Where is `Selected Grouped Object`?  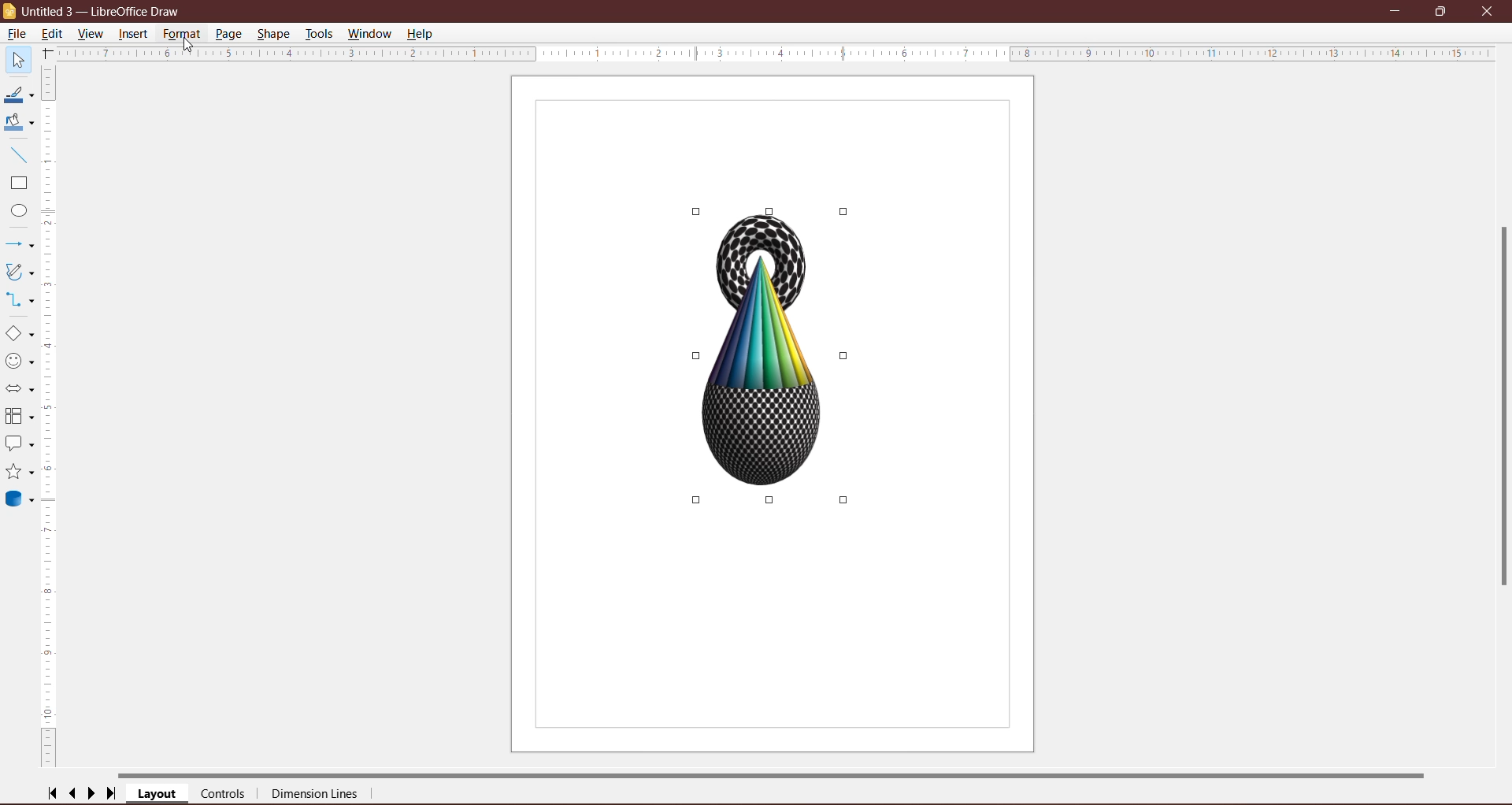 Selected Grouped Object is located at coordinates (769, 354).